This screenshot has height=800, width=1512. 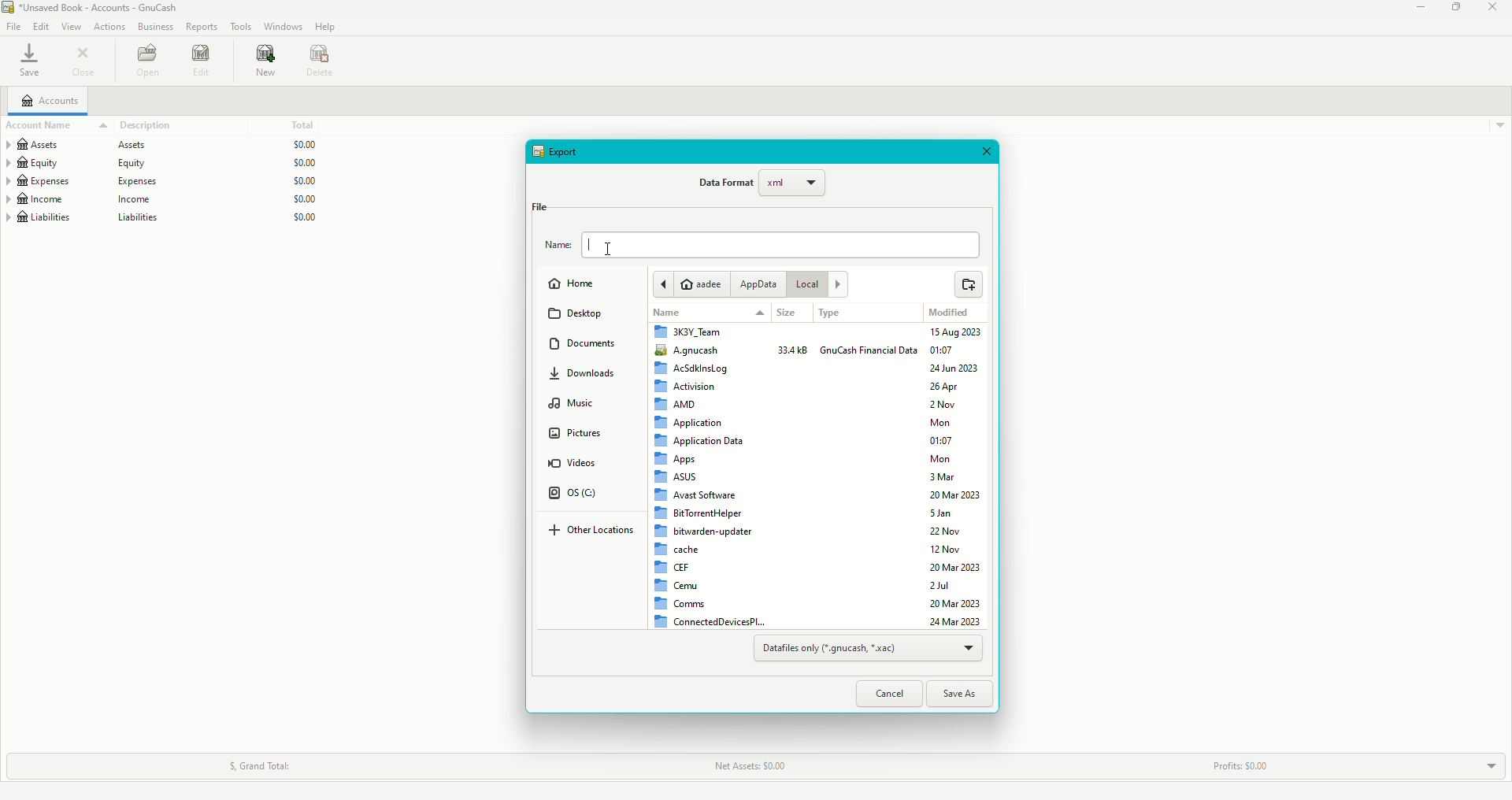 What do you see at coordinates (612, 246) in the screenshot?
I see `Cursor` at bounding box center [612, 246].